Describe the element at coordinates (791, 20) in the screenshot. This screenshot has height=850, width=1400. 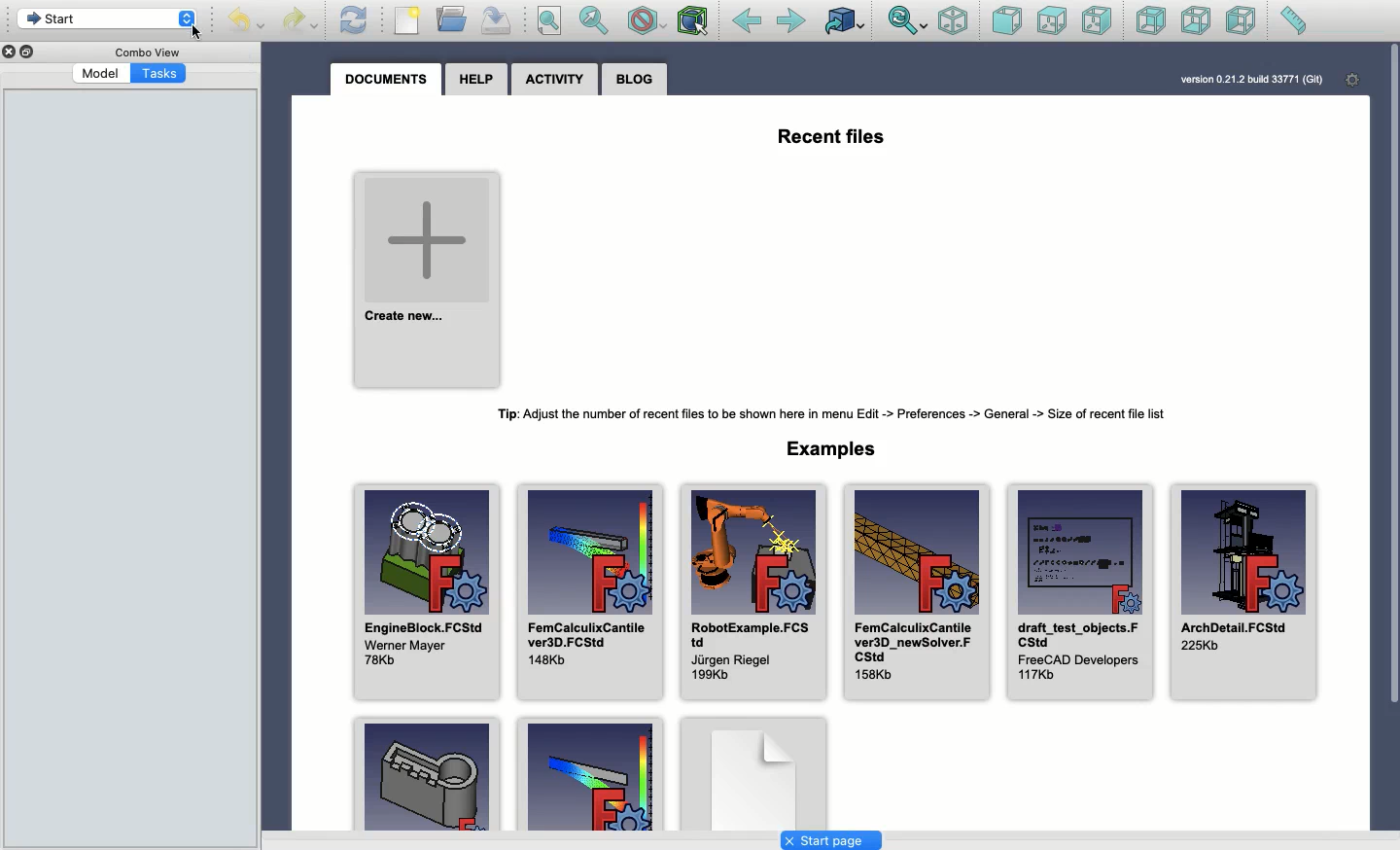
I see `Forward` at that location.